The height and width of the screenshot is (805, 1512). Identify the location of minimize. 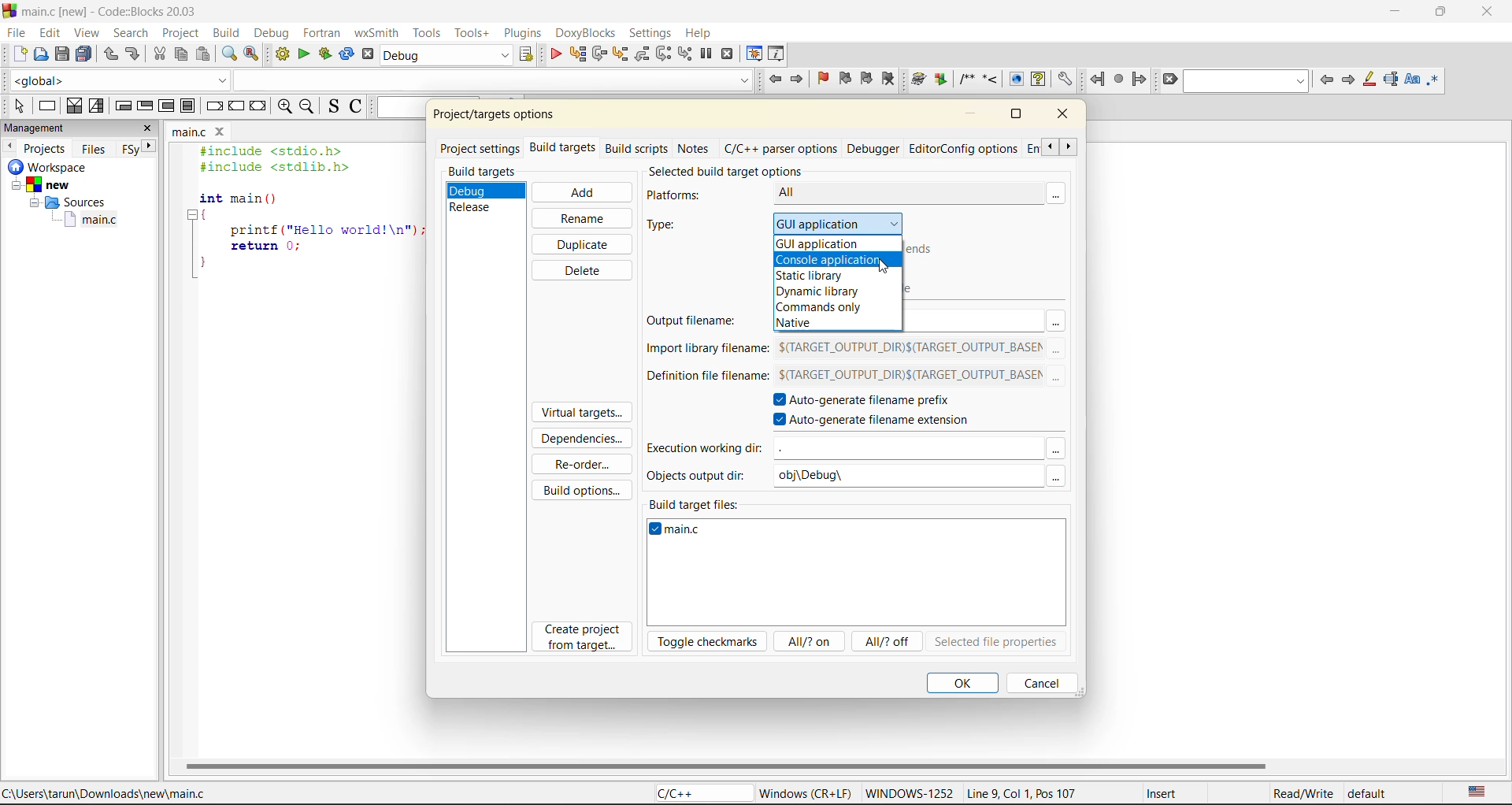
(973, 114).